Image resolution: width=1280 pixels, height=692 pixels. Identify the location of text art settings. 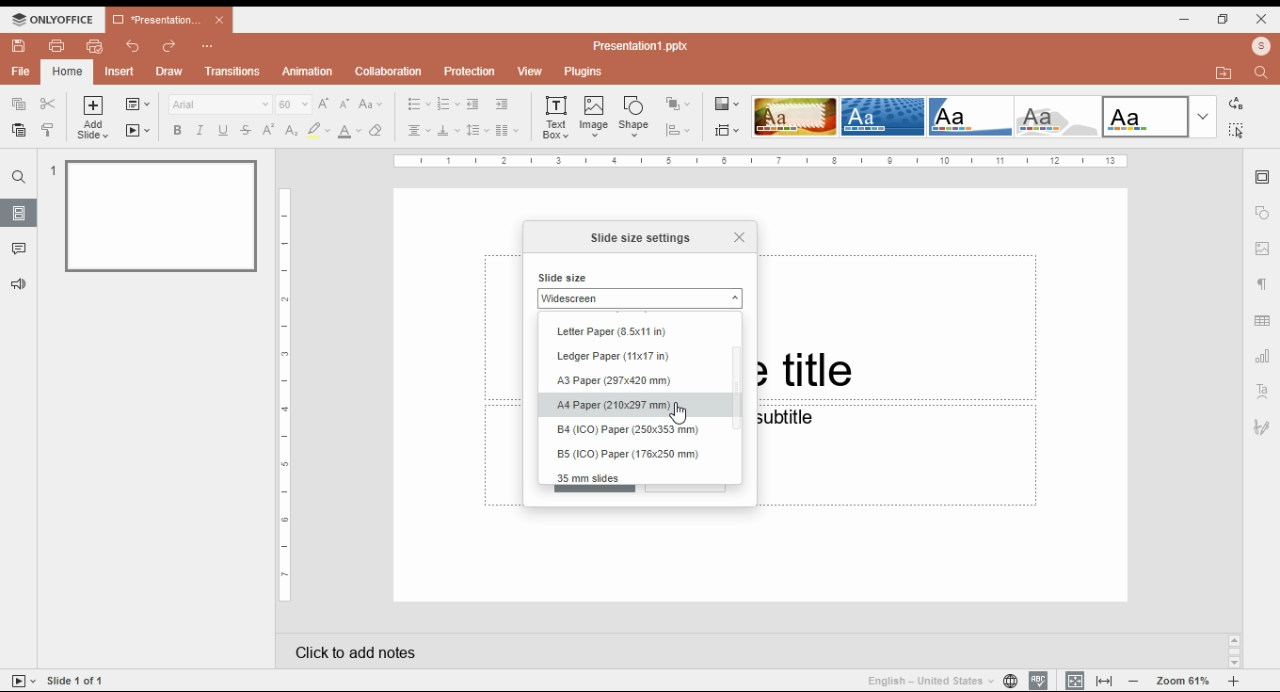
(1263, 390).